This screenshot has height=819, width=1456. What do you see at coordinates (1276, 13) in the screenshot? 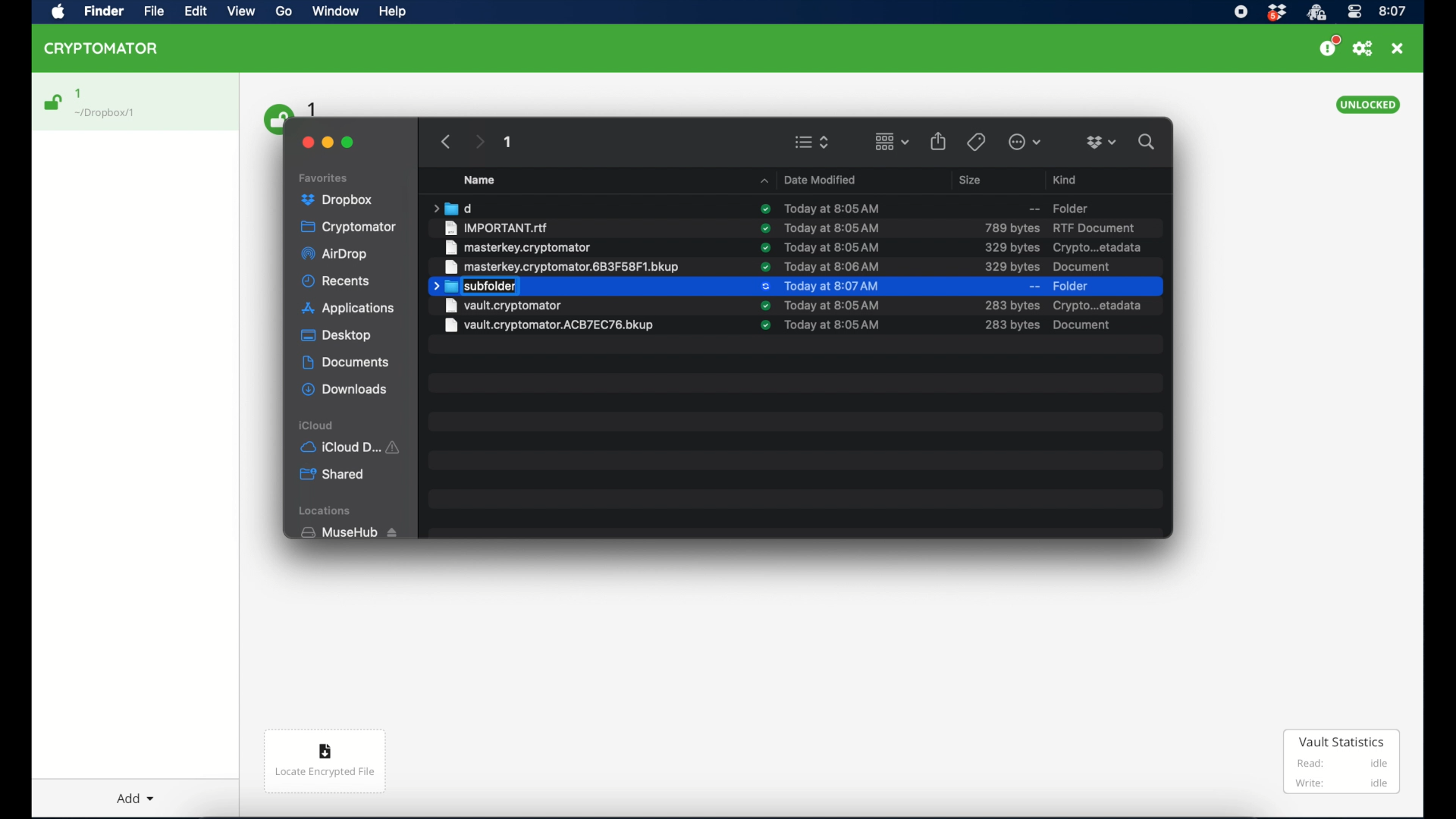
I see `dropbox icon` at bounding box center [1276, 13].